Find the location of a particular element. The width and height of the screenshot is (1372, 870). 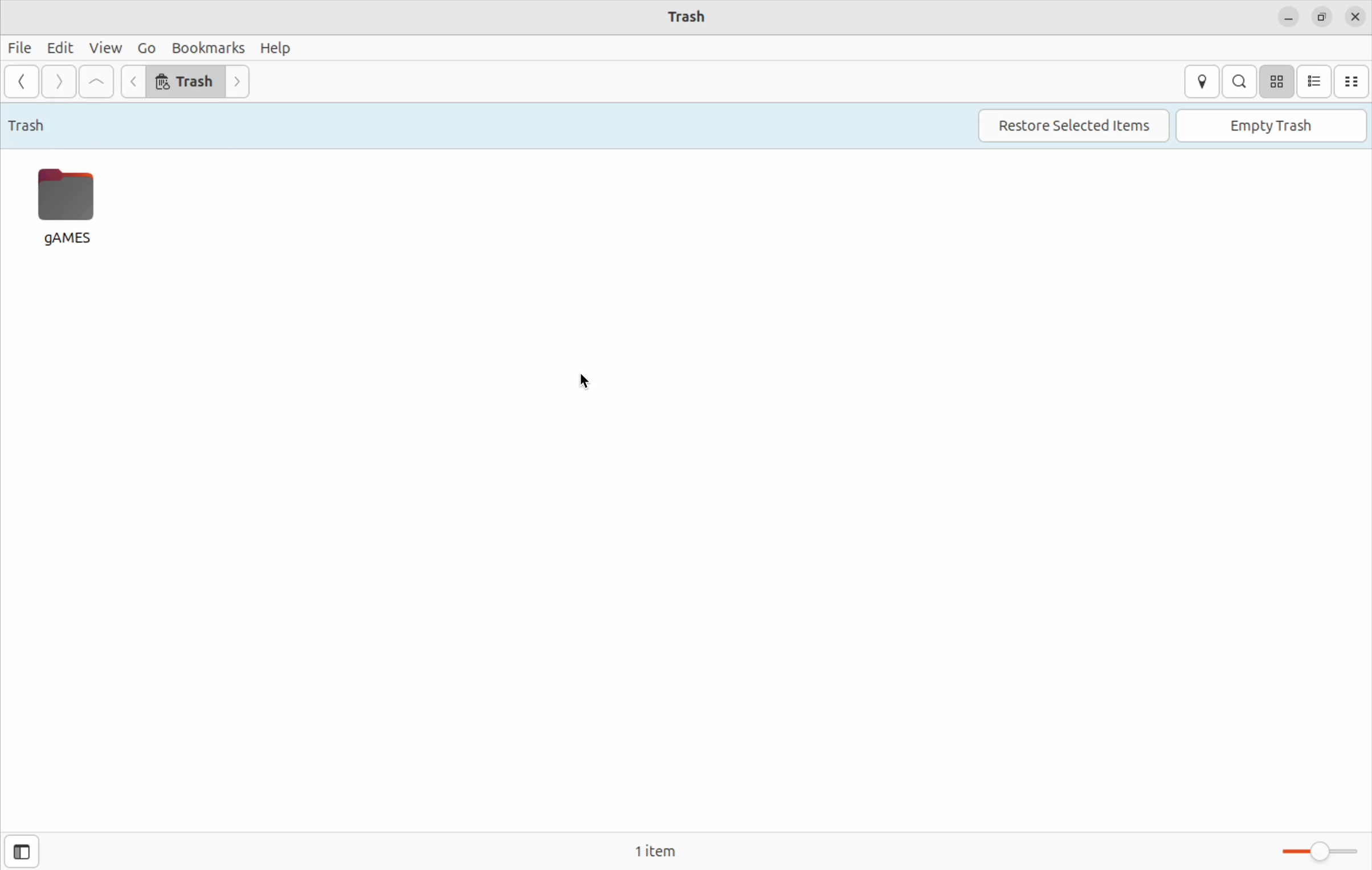

search is located at coordinates (1239, 81).